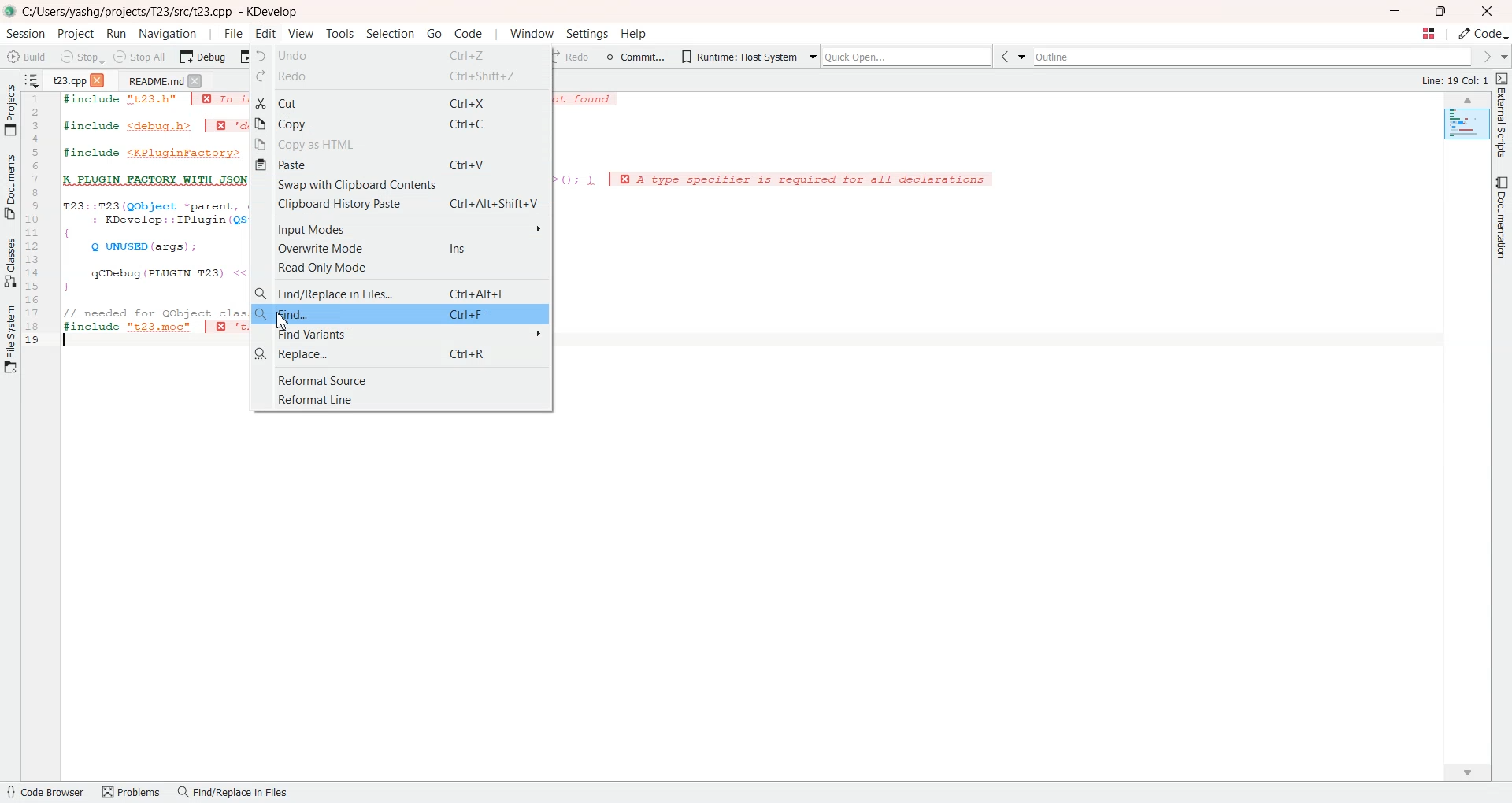  What do you see at coordinates (132, 793) in the screenshot?
I see `Problems` at bounding box center [132, 793].